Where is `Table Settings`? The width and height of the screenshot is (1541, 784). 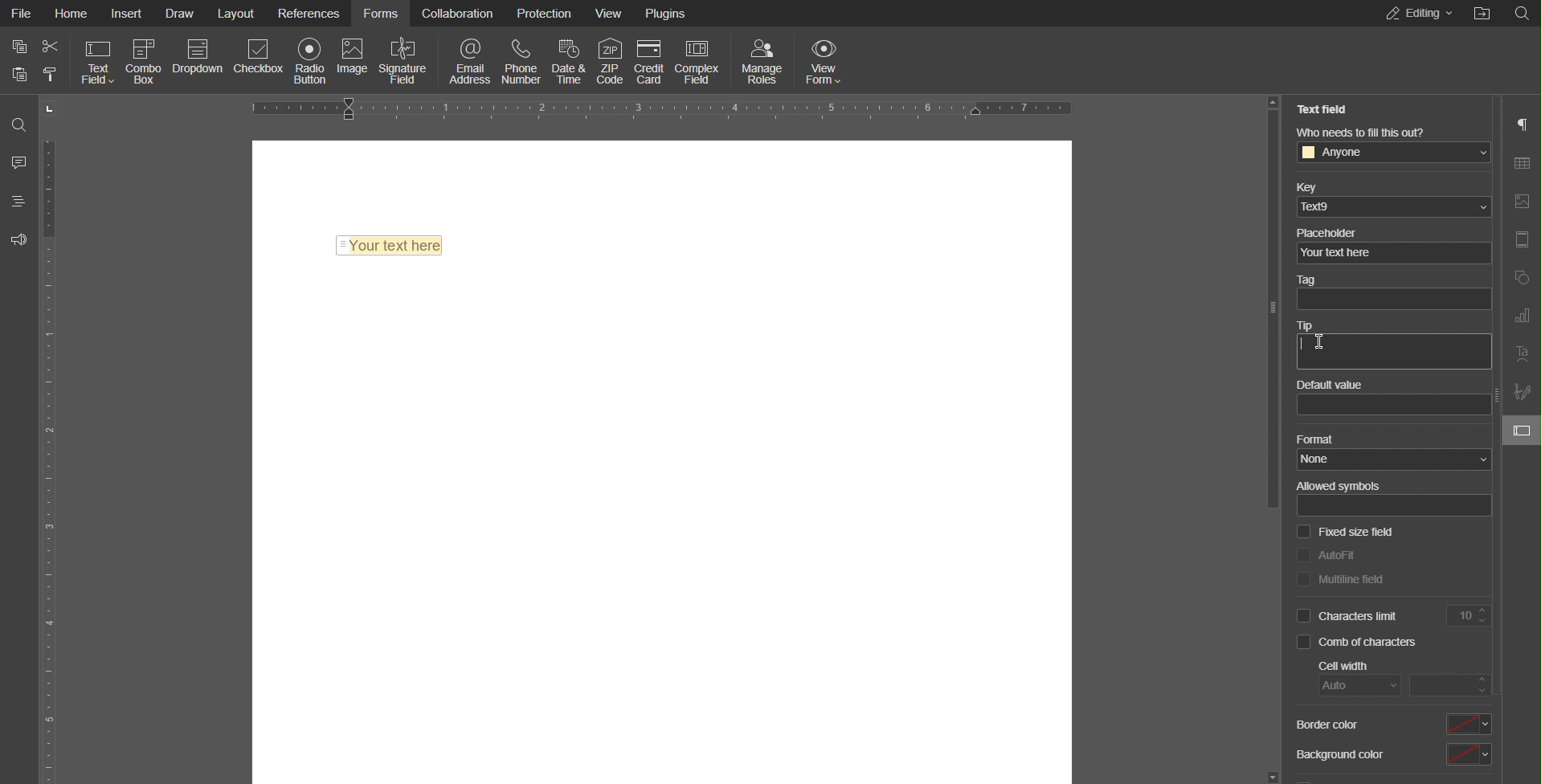
Table Settings is located at coordinates (1520, 161).